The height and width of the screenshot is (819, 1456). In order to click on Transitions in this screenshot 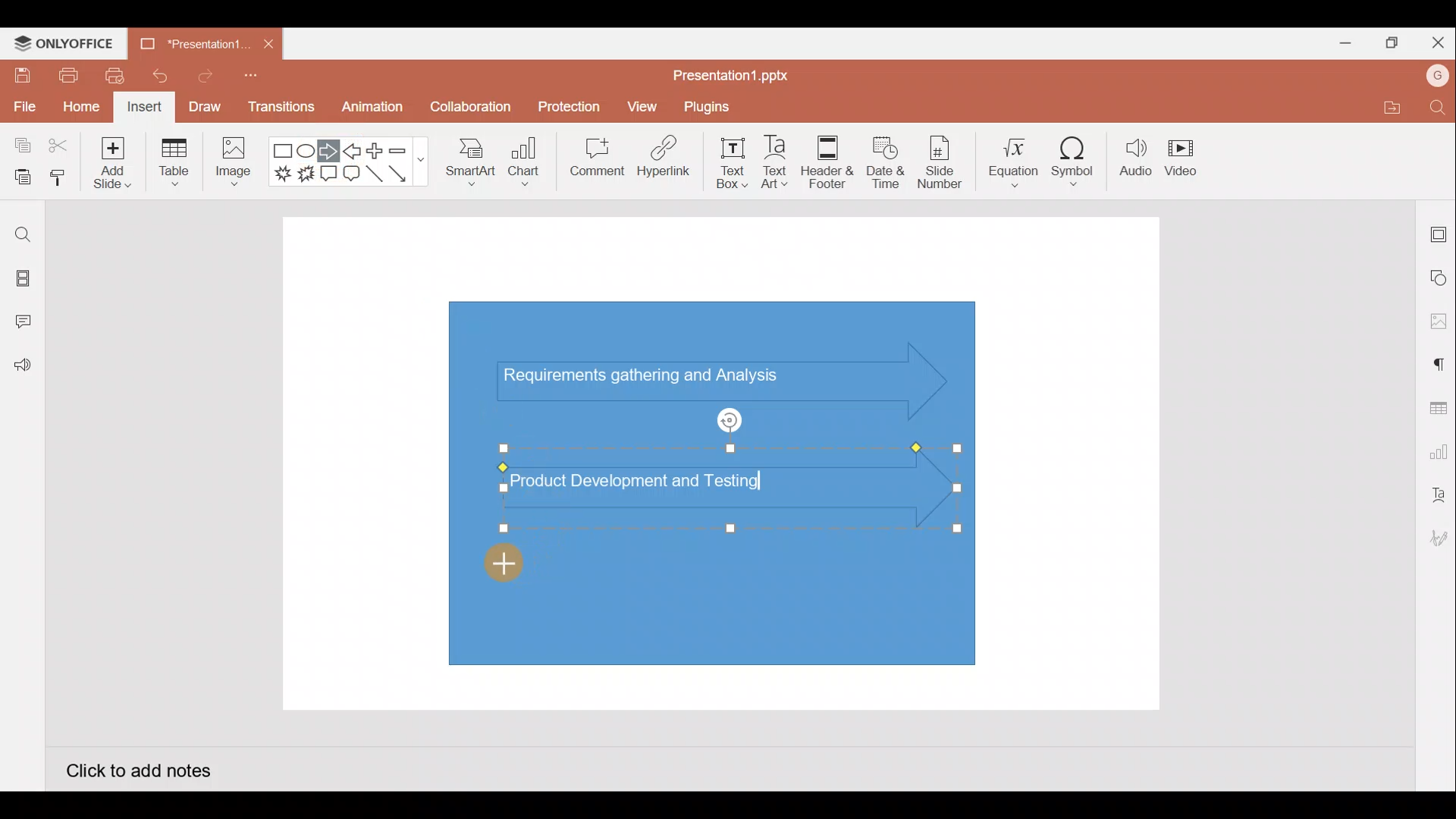, I will do `click(282, 111)`.